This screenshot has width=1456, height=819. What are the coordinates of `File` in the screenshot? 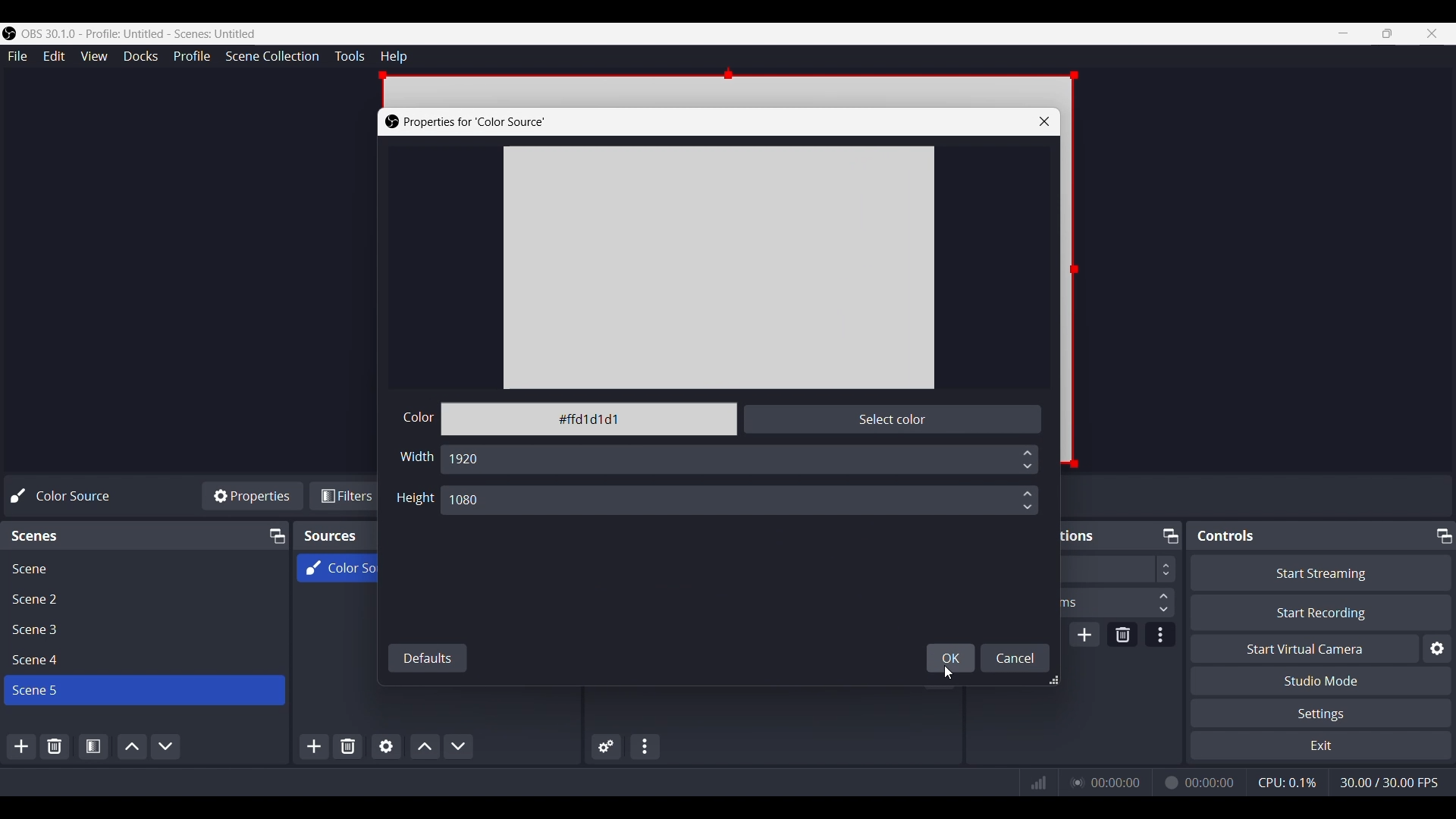 It's located at (16, 55).